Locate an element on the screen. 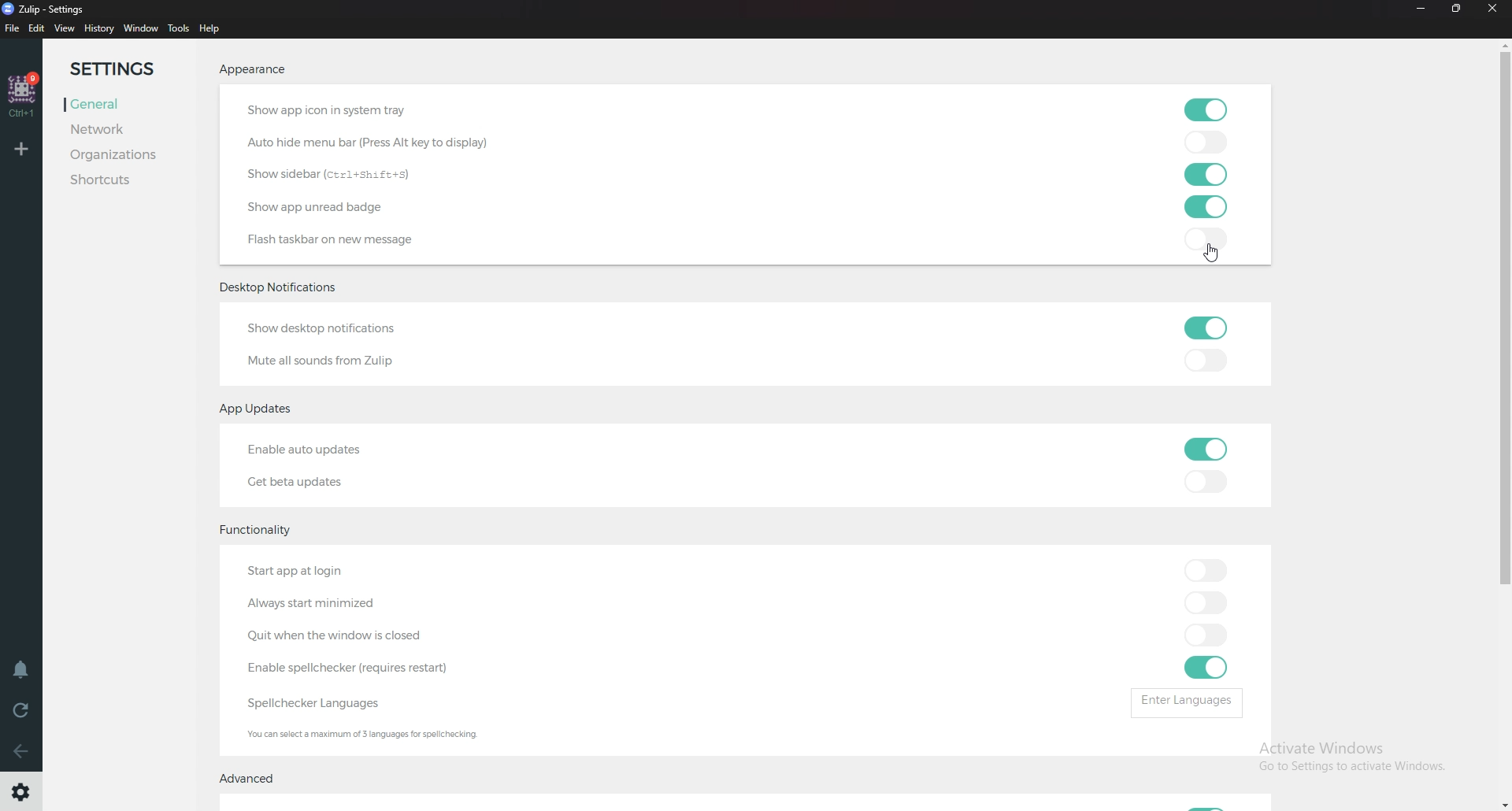  back is located at coordinates (24, 751).